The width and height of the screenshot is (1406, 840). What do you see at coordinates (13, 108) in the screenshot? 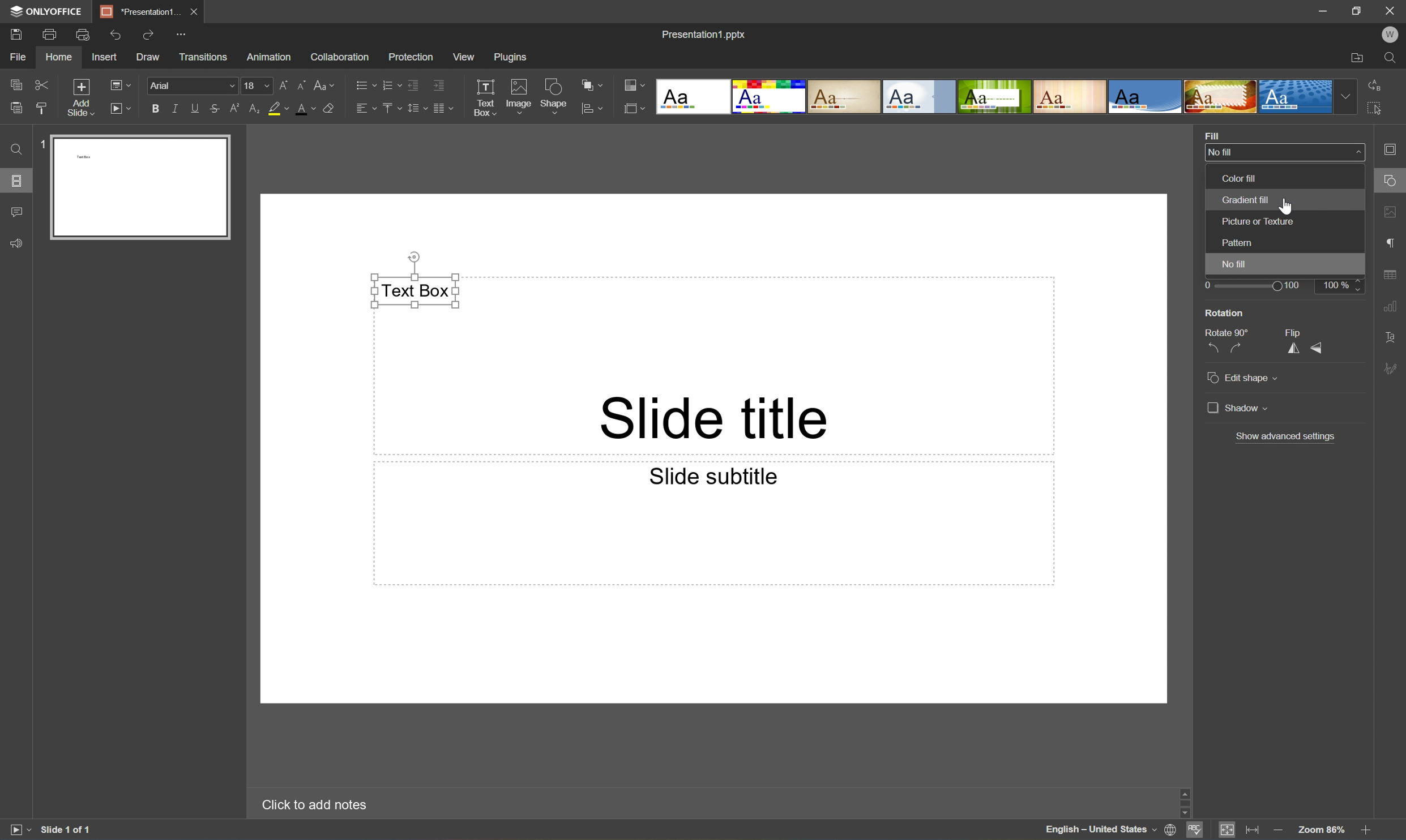
I see `Paste` at bounding box center [13, 108].